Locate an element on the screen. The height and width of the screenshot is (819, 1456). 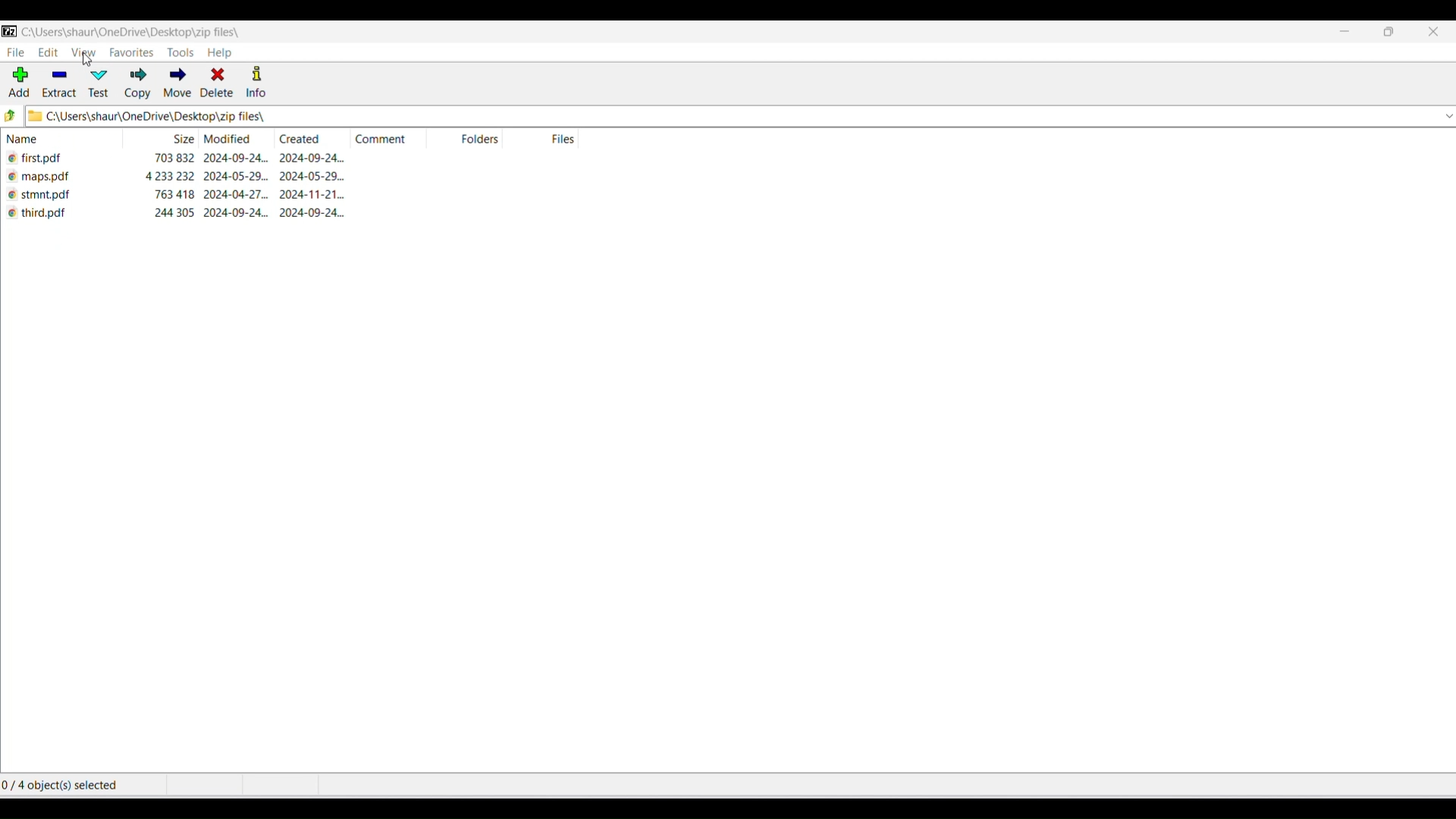
folders is located at coordinates (485, 142).